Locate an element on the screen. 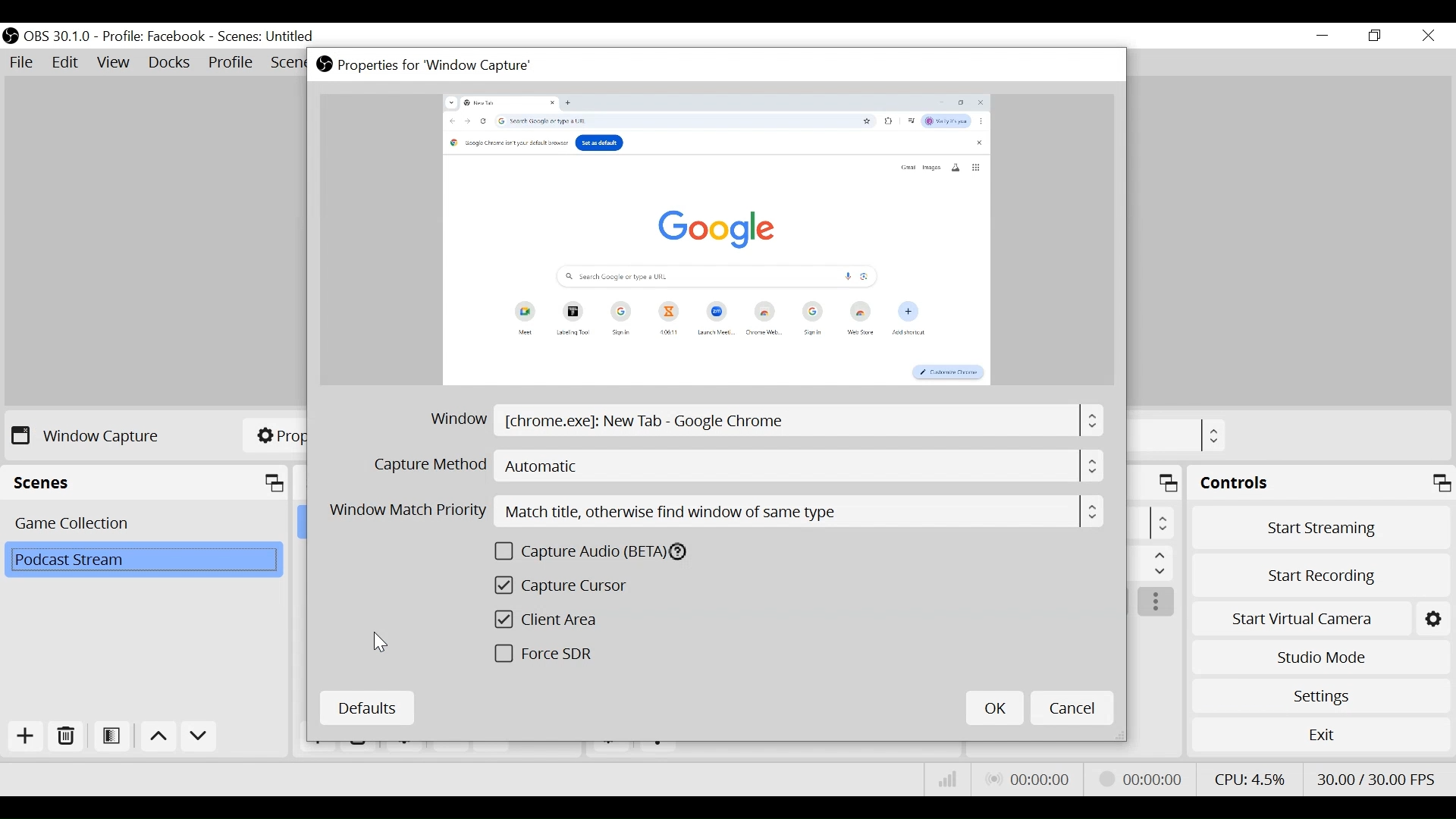  Window Match Priority is located at coordinates (714, 510).